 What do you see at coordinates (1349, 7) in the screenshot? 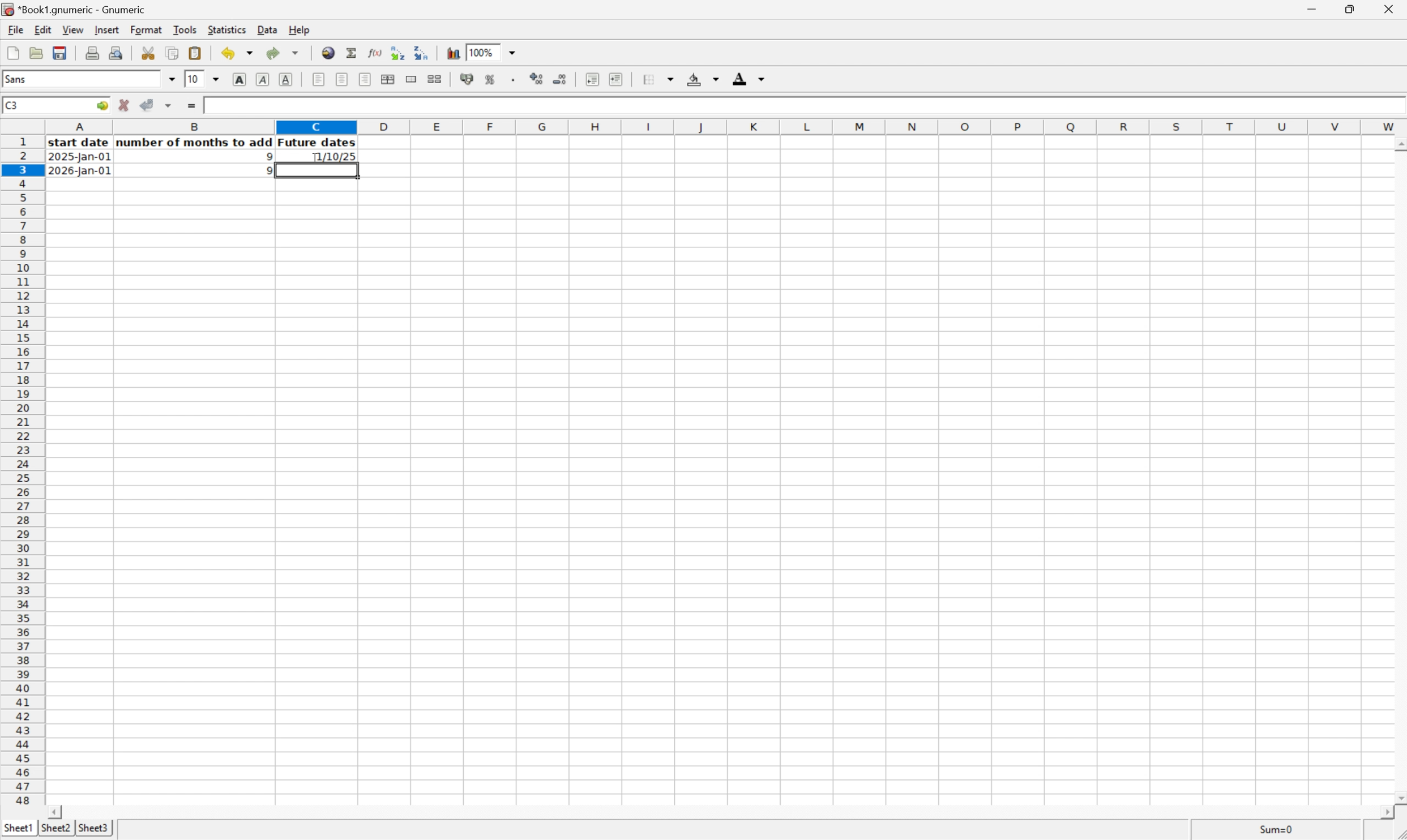
I see `Restore Down` at bounding box center [1349, 7].